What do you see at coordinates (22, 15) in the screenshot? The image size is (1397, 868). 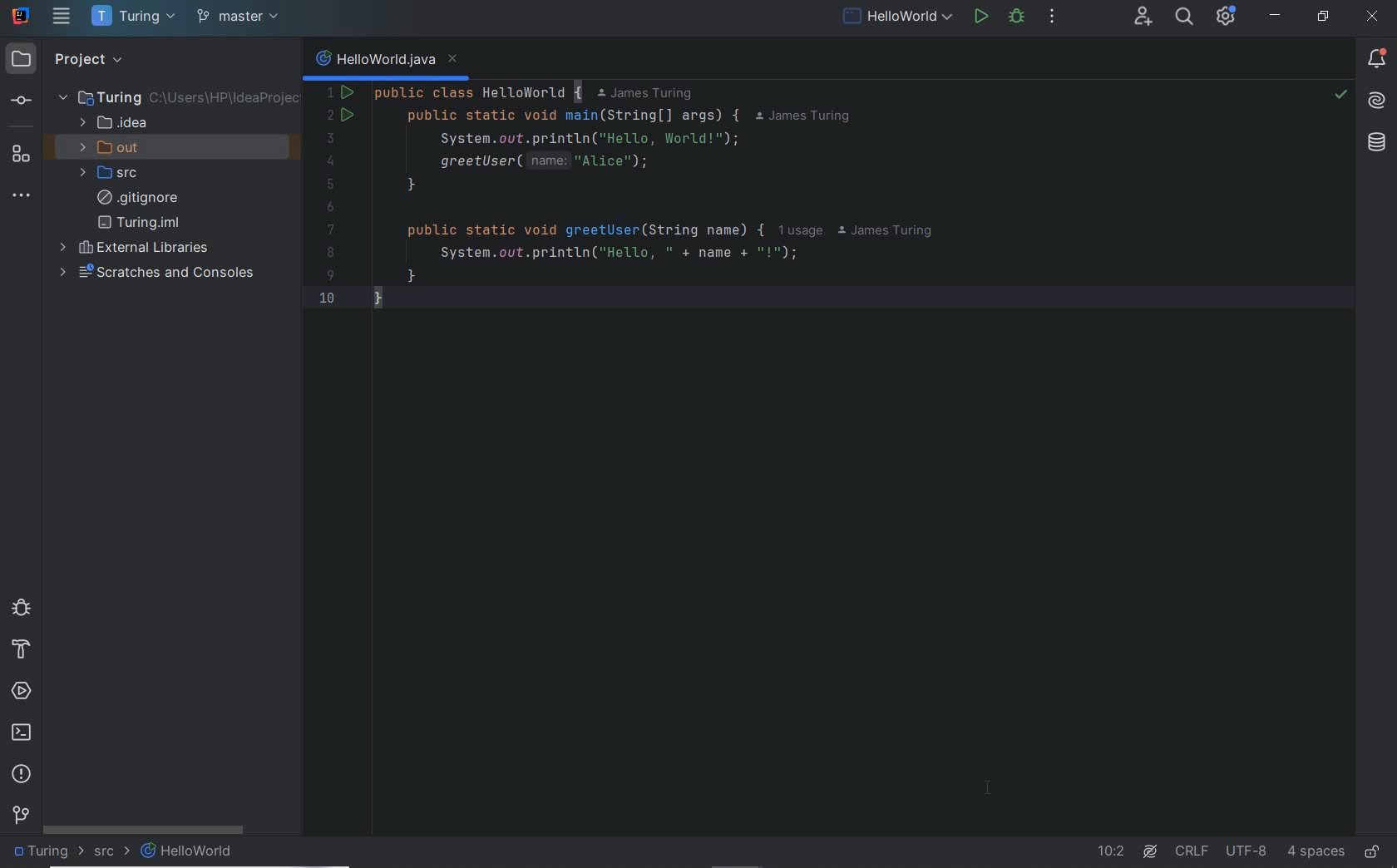 I see `Application logo` at bounding box center [22, 15].